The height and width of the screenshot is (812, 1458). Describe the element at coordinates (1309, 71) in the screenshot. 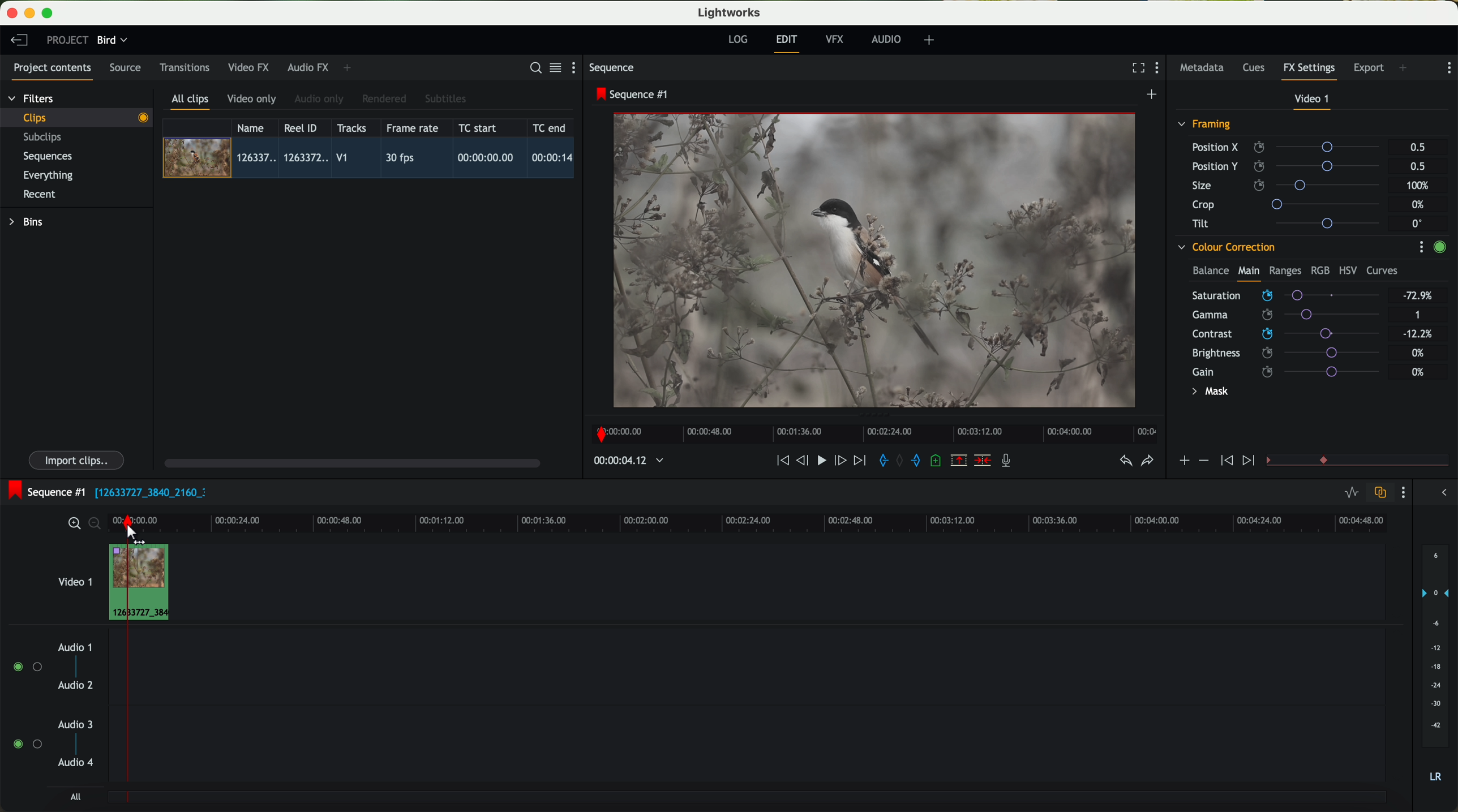

I see `fx settings` at that location.